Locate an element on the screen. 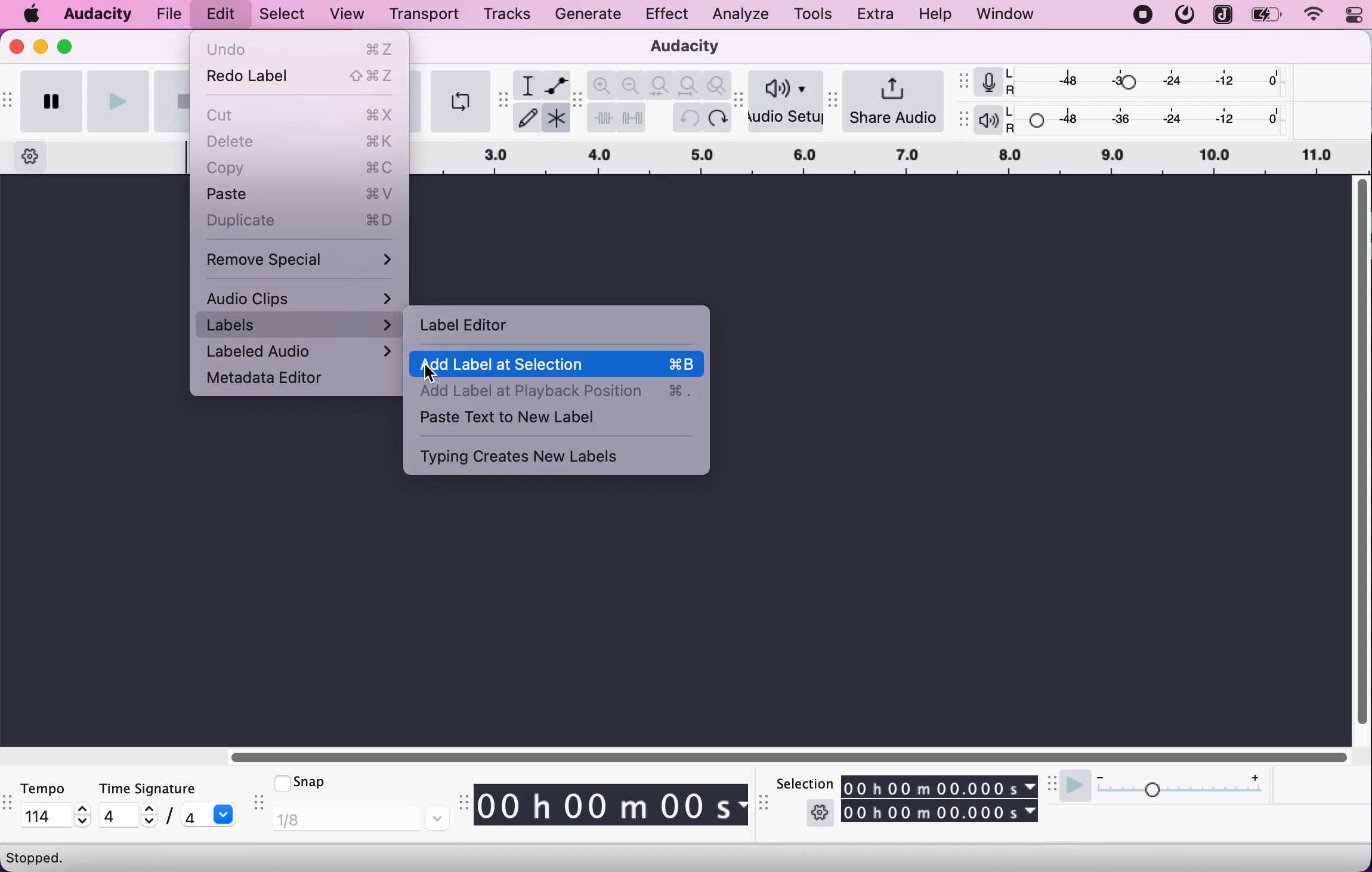 The width and height of the screenshot is (1372, 872). audacity playback meter toolbar is located at coordinates (962, 120).